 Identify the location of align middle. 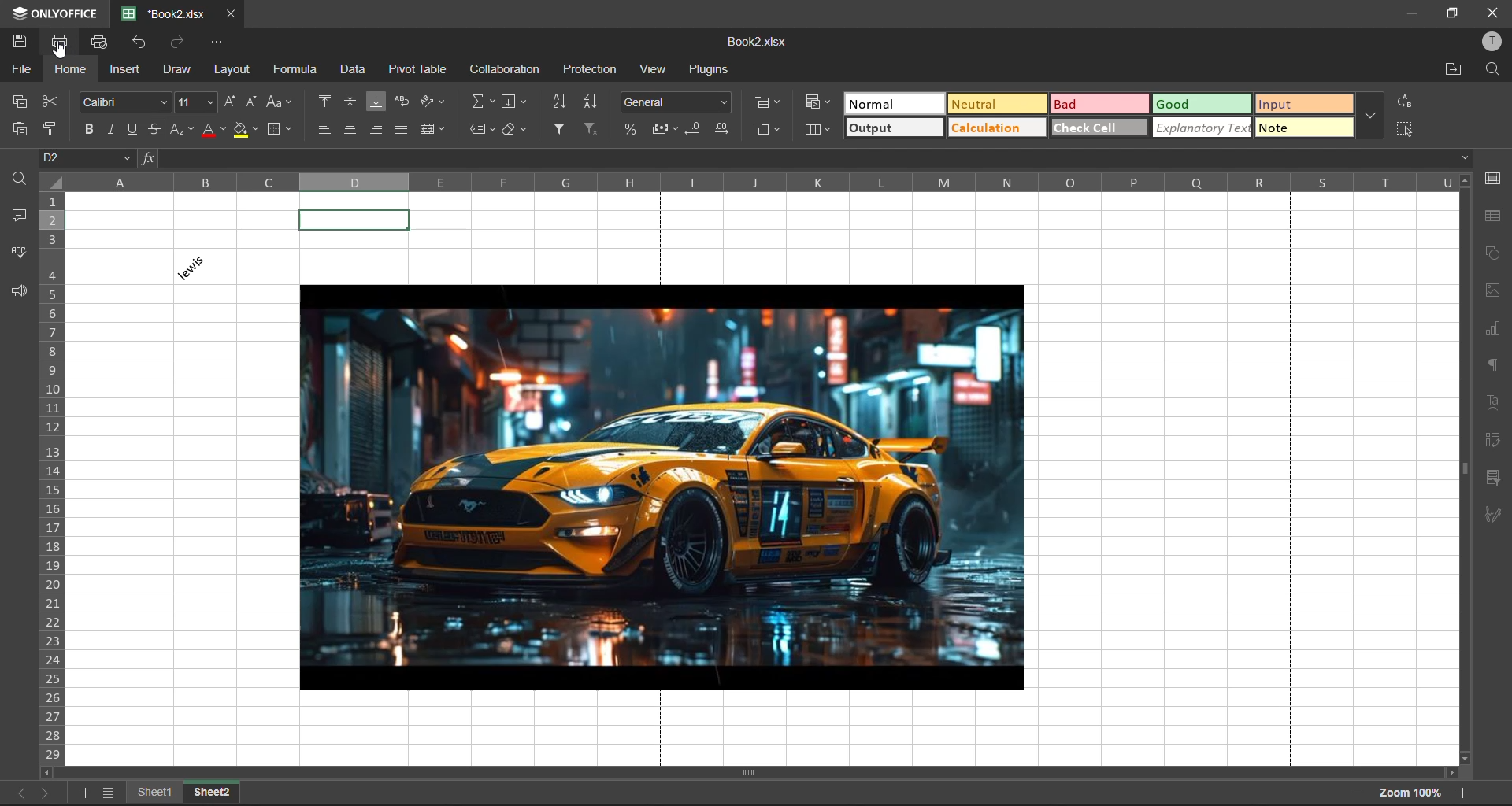
(348, 102).